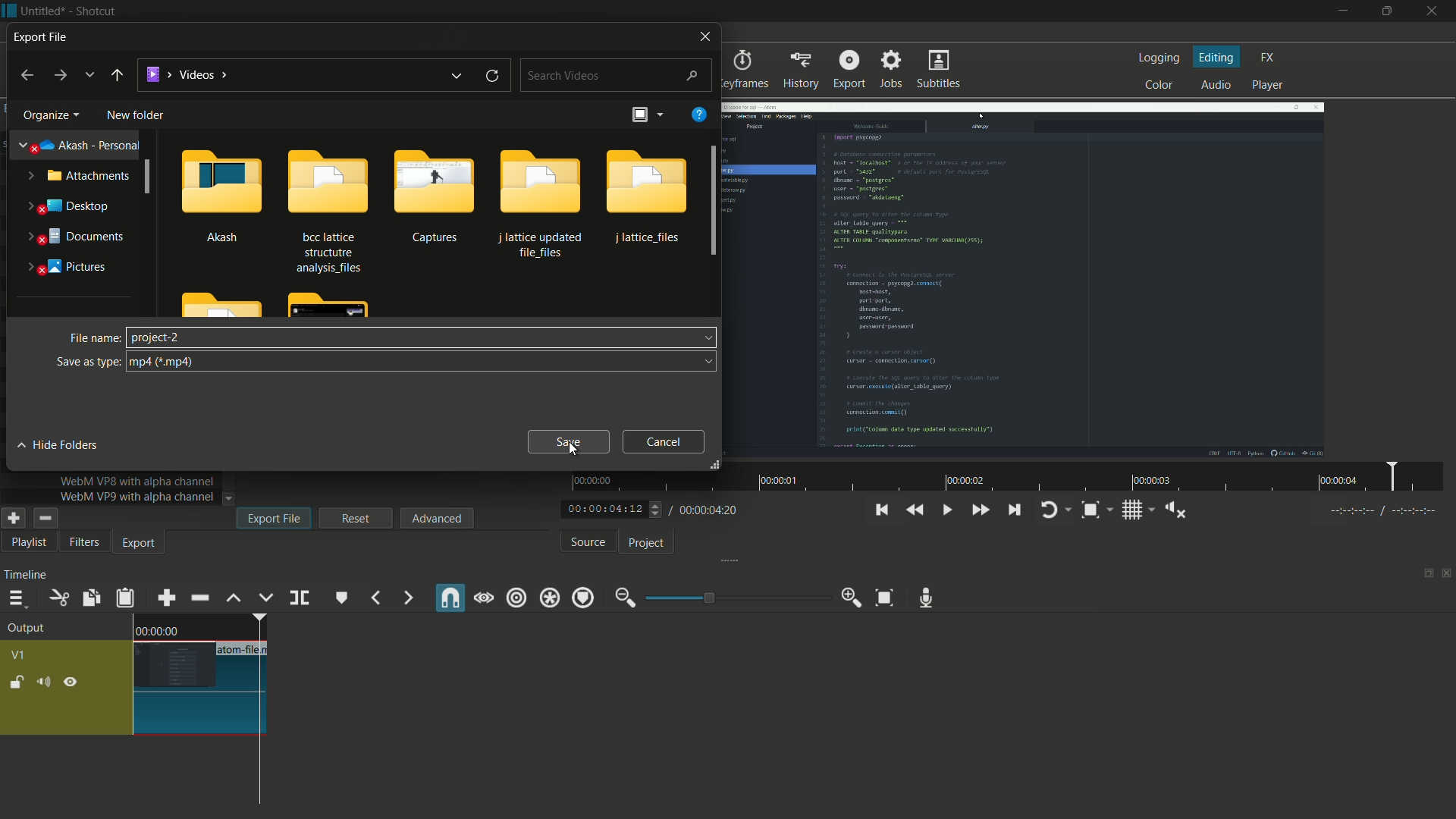  Describe the element at coordinates (736, 598) in the screenshot. I see `adjustment bar` at that location.